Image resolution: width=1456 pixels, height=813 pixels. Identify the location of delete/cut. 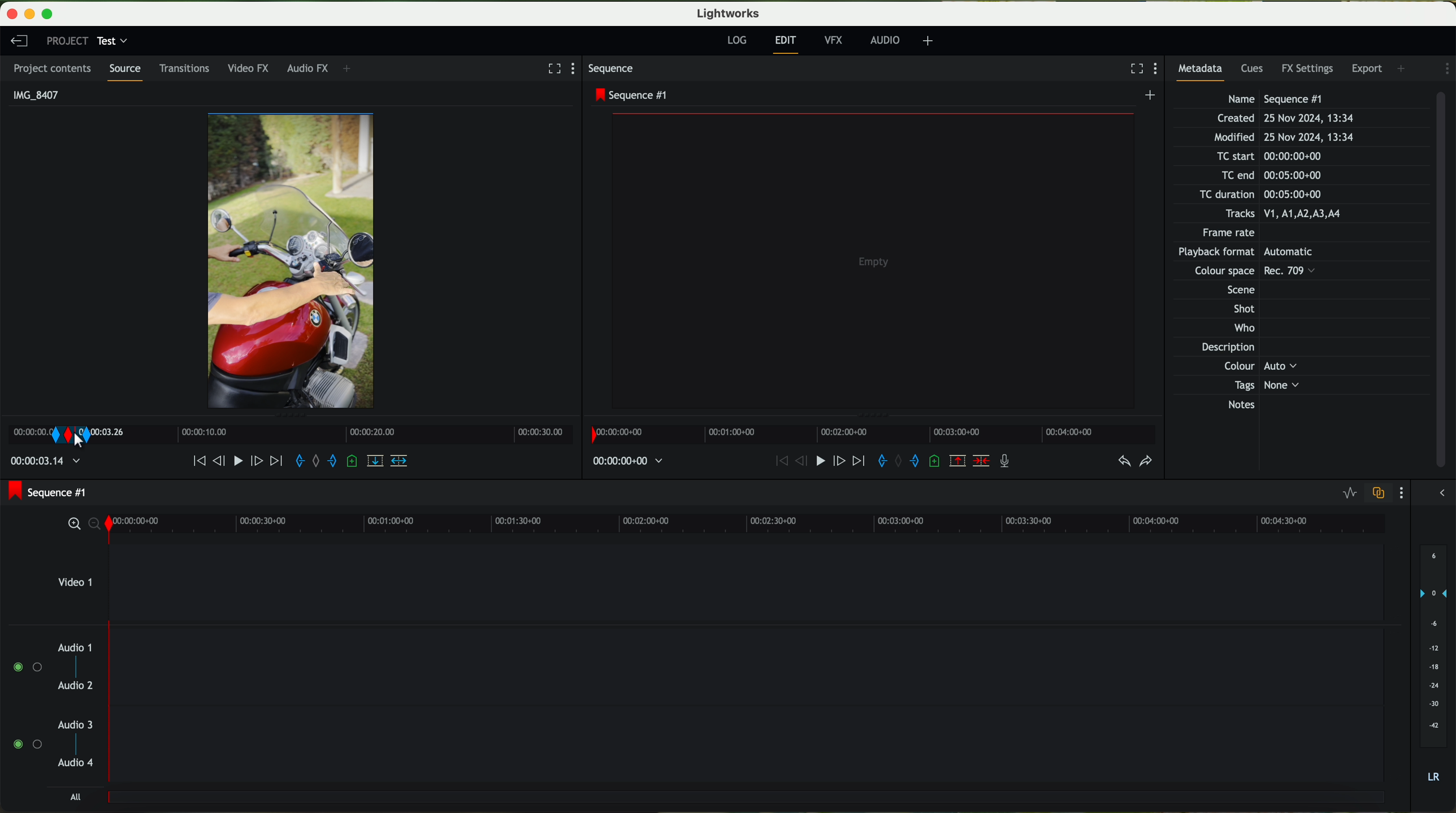
(981, 461).